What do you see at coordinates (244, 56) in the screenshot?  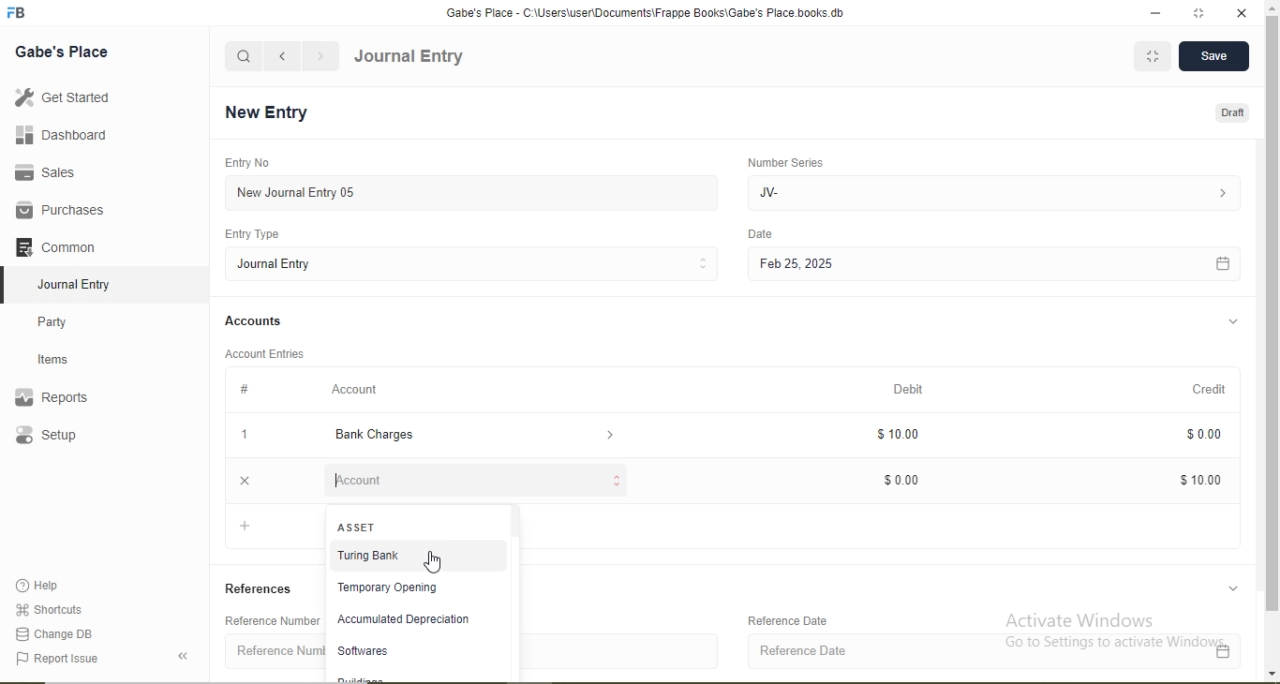 I see `search` at bounding box center [244, 56].